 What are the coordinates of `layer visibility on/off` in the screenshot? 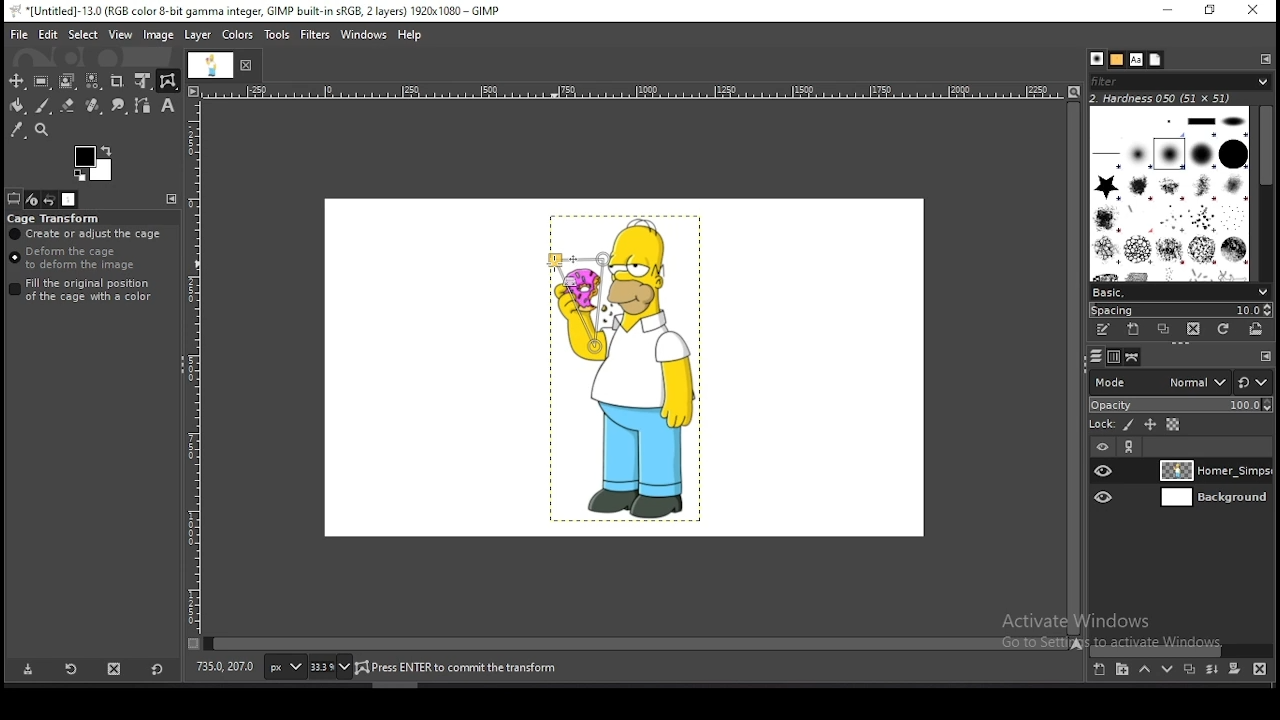 It's located at (1105, 497).